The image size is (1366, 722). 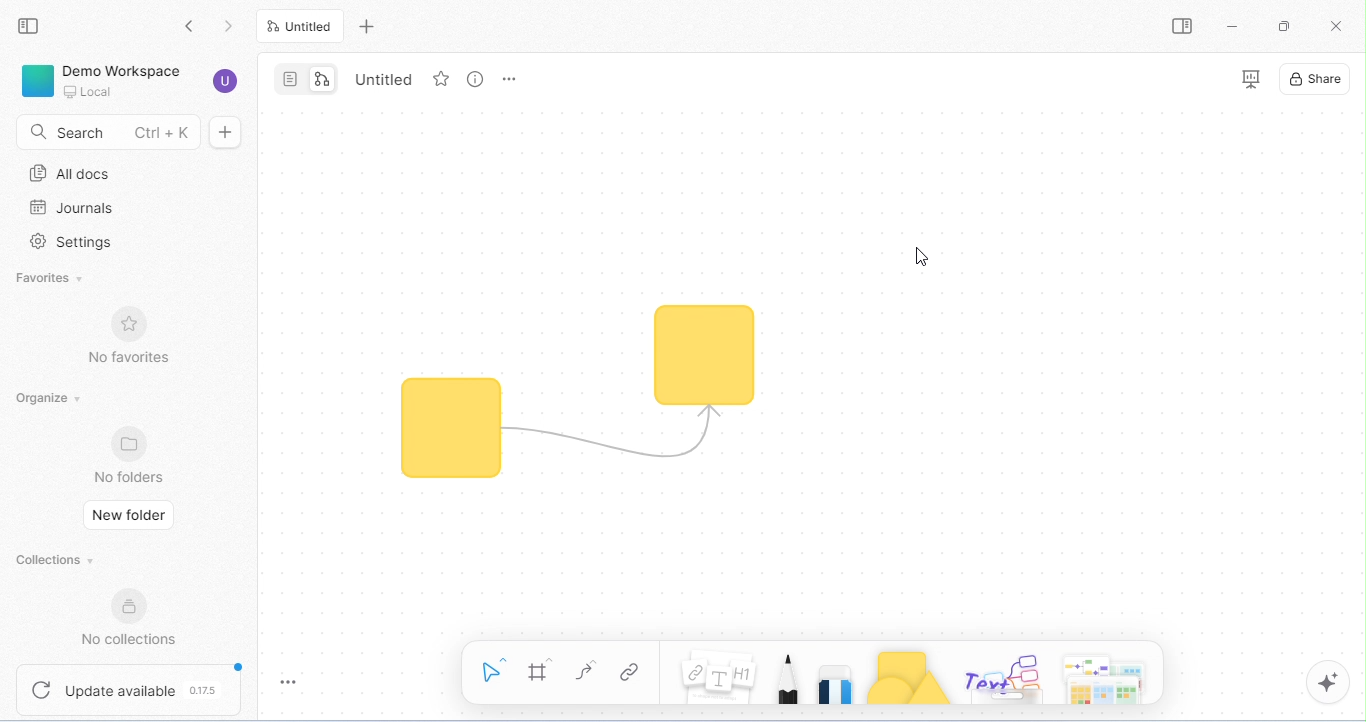 What do you see at coordinates (910, 677) in the screenshot?
I see `shapes` at bounding box center [910, 677].